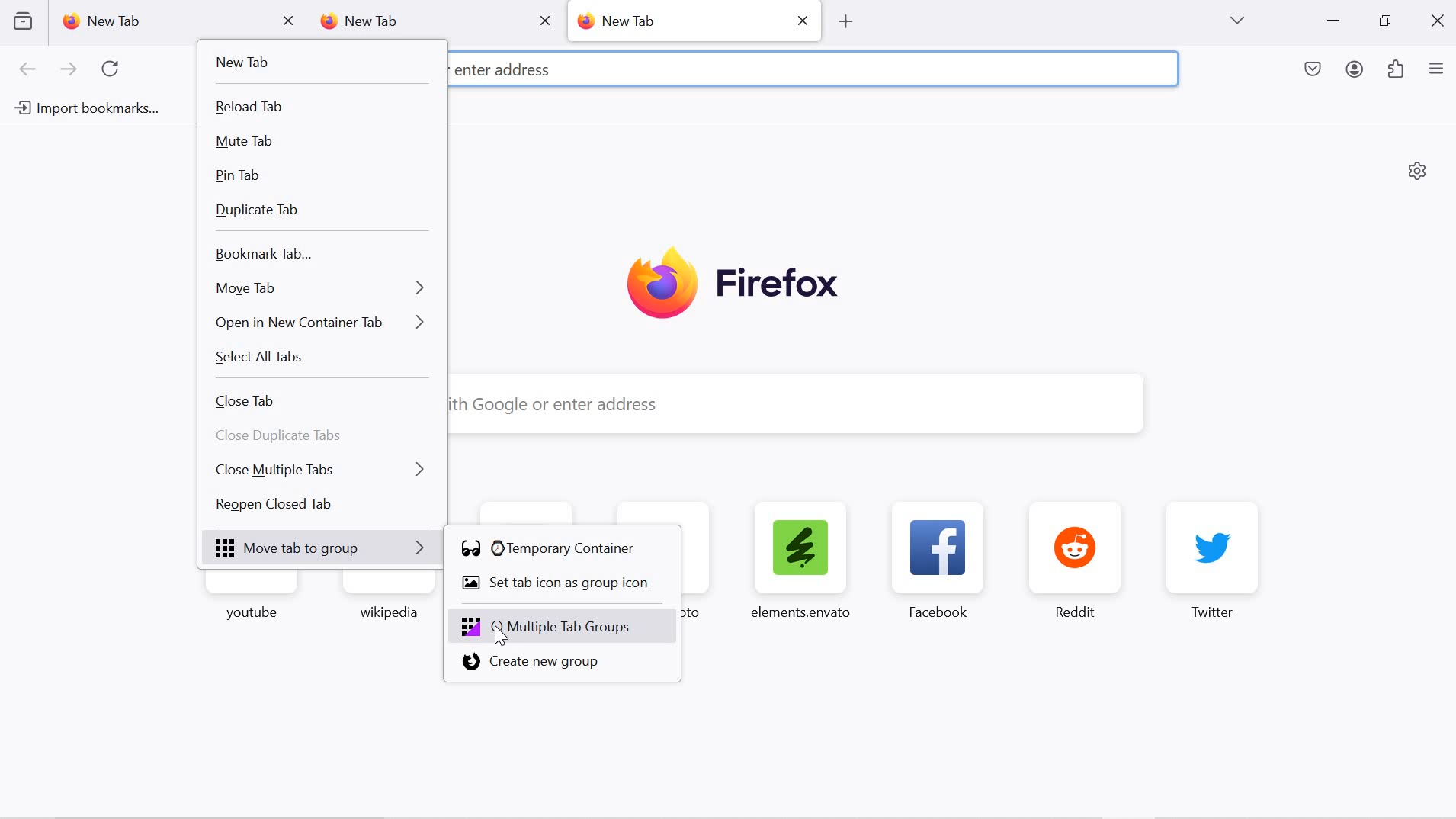  I want to click on account, so click(1357, 72).